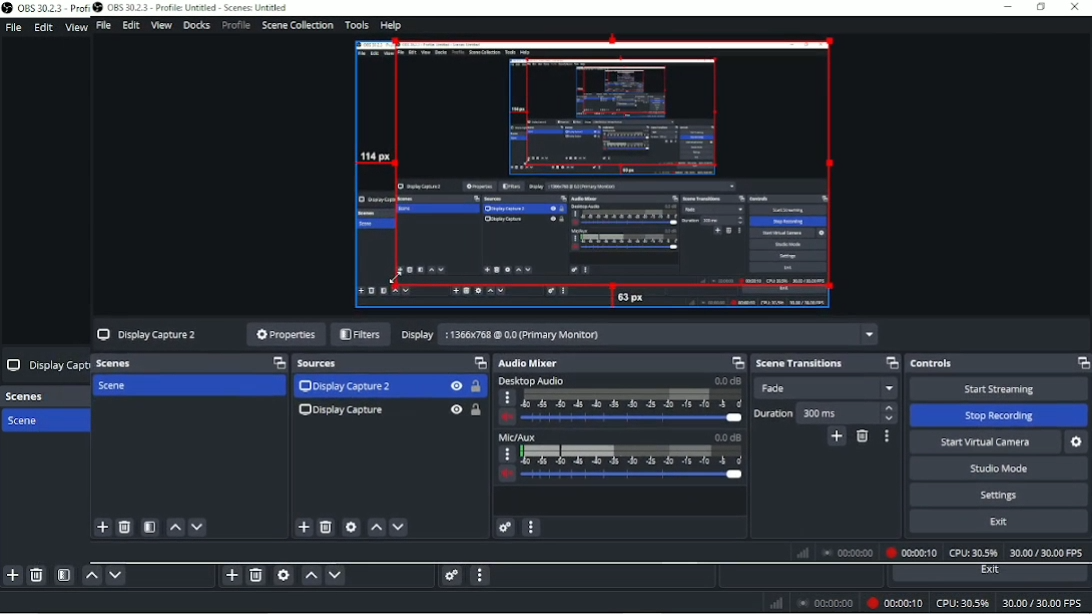 This screenshot has width=1092, height=614. What do you see at coordinates (813, 413) in the screenshot?
I see `Duration 300 ms` at bounding box center [813, 413].